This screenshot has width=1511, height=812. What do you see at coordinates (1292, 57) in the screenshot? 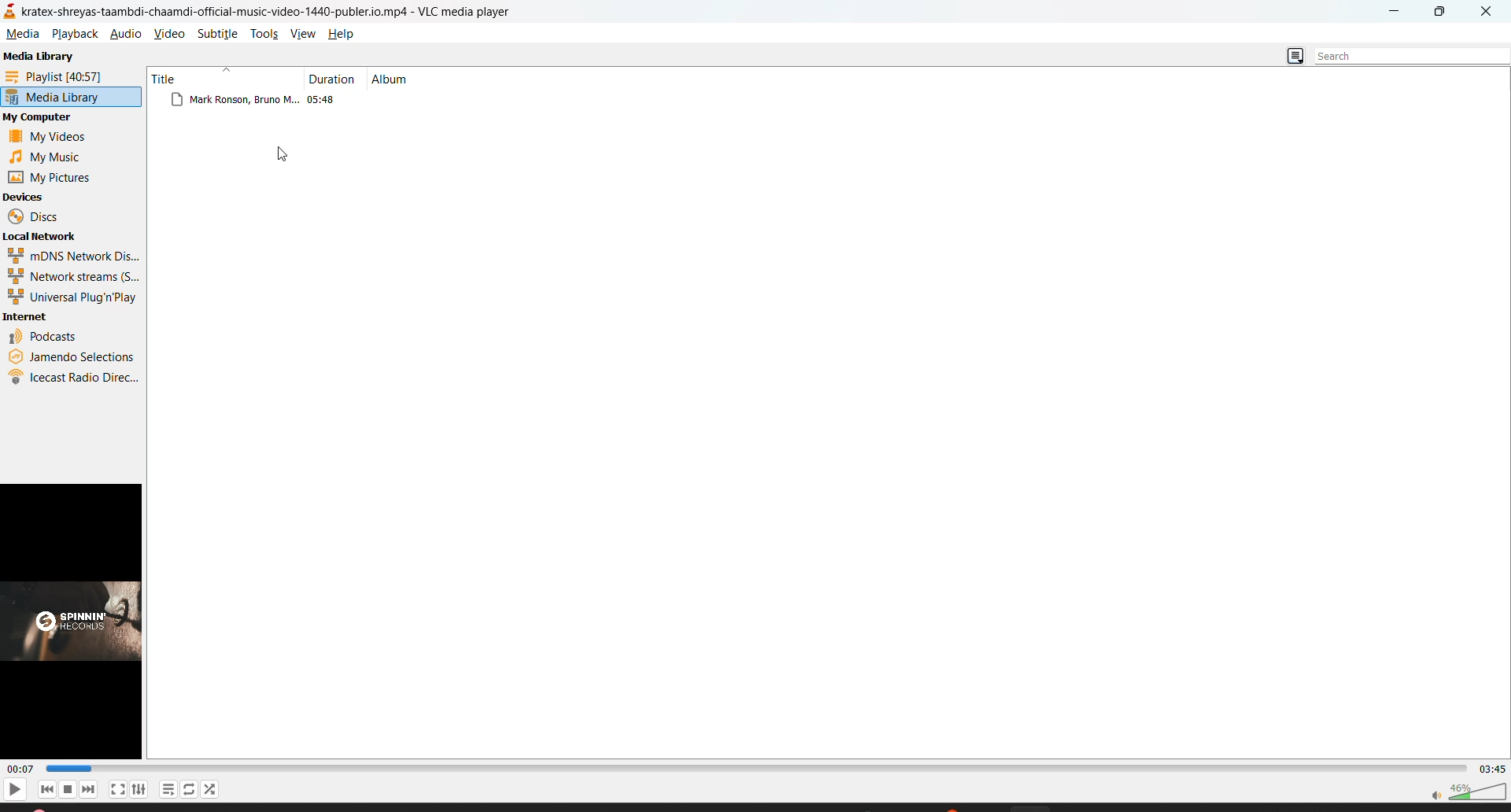
I see `change view` at bounding box center [1292, 57].